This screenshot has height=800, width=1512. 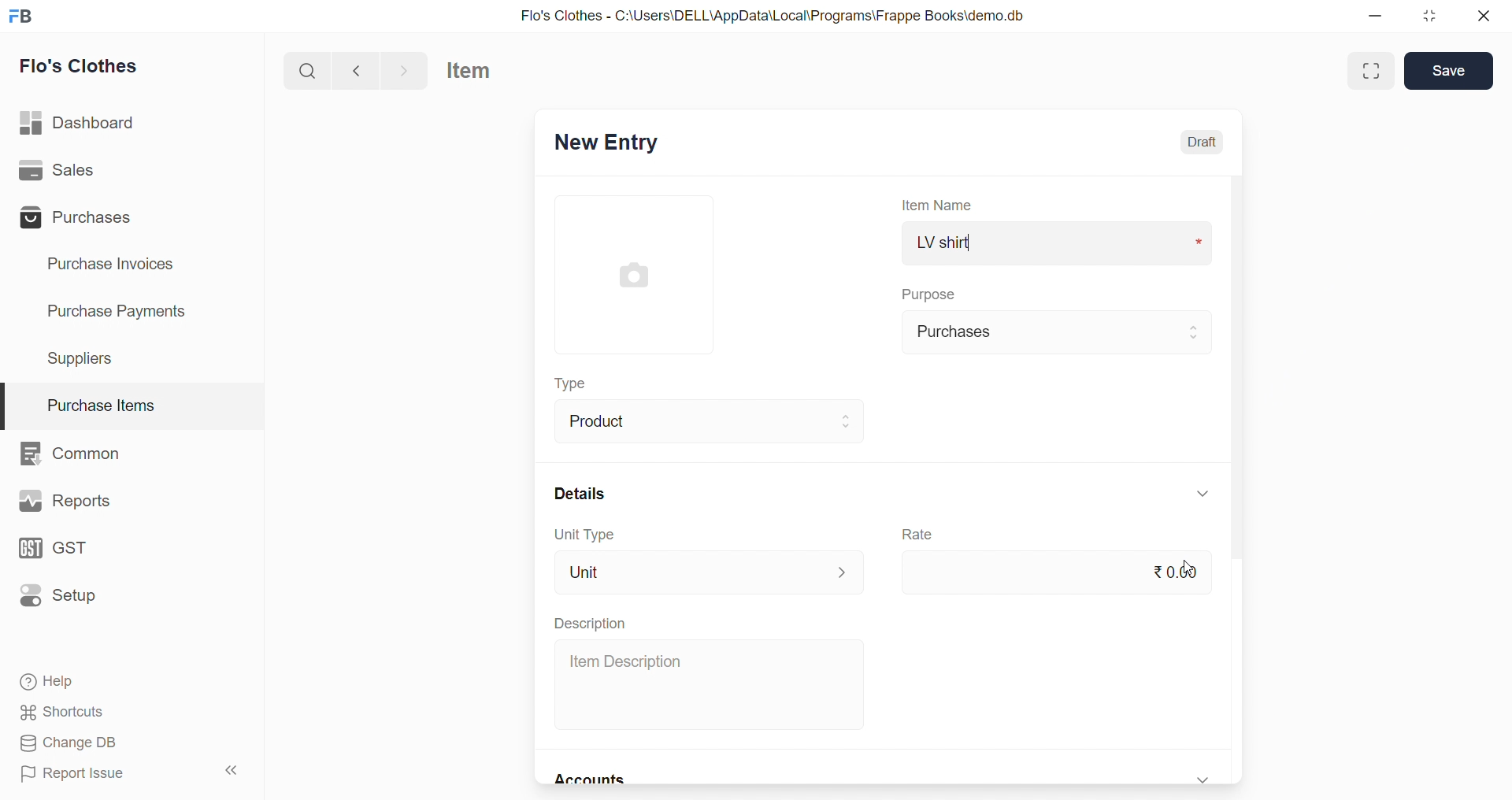 What do you see at coordinates (577, 385) in the screenshot?
I see `Type` at bounding box center [577, 385].